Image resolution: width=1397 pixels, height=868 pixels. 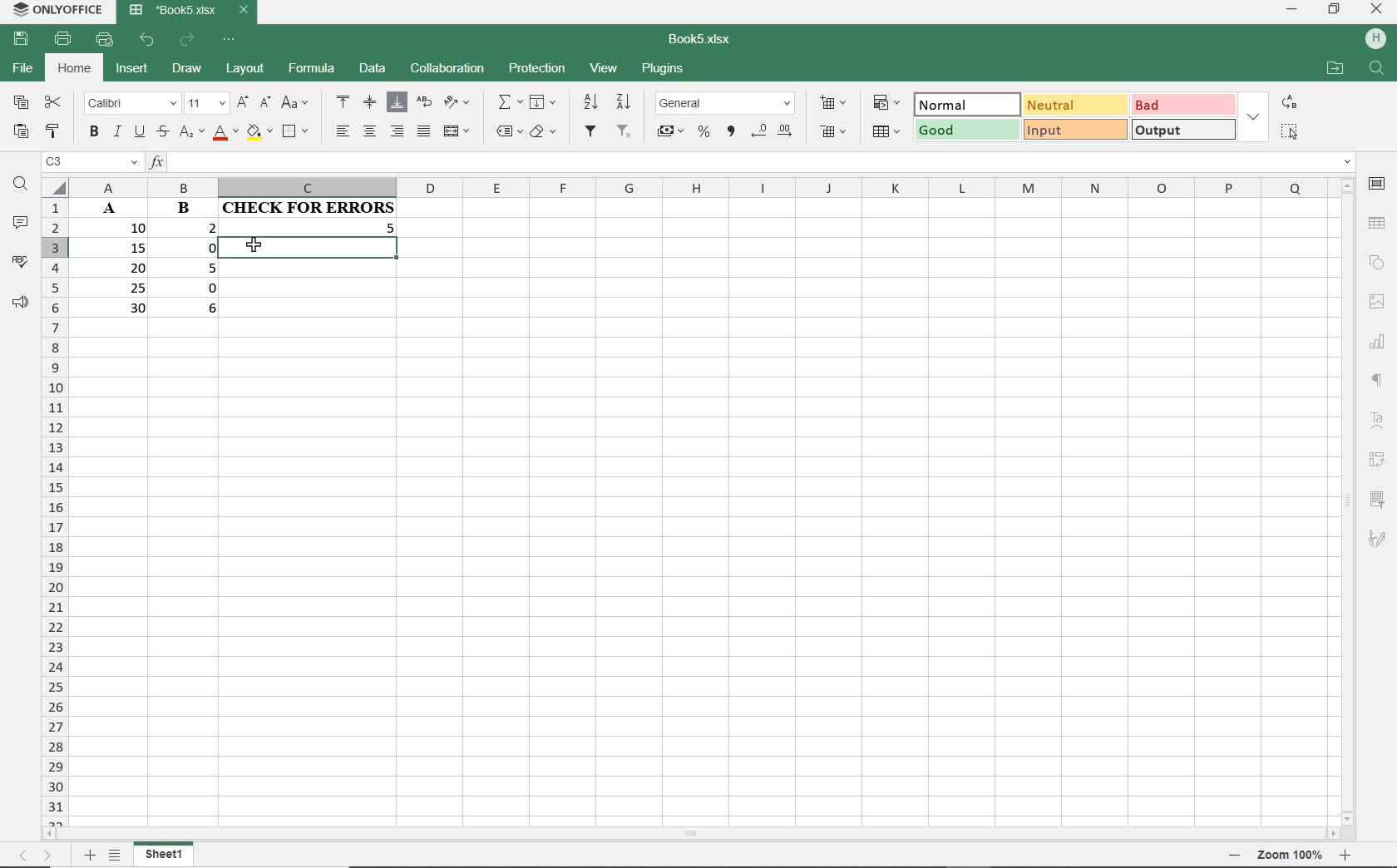 What do you see at coordinates (128, 105) in the screenshot?
I see `FONT` at bounding box center [128, 105].